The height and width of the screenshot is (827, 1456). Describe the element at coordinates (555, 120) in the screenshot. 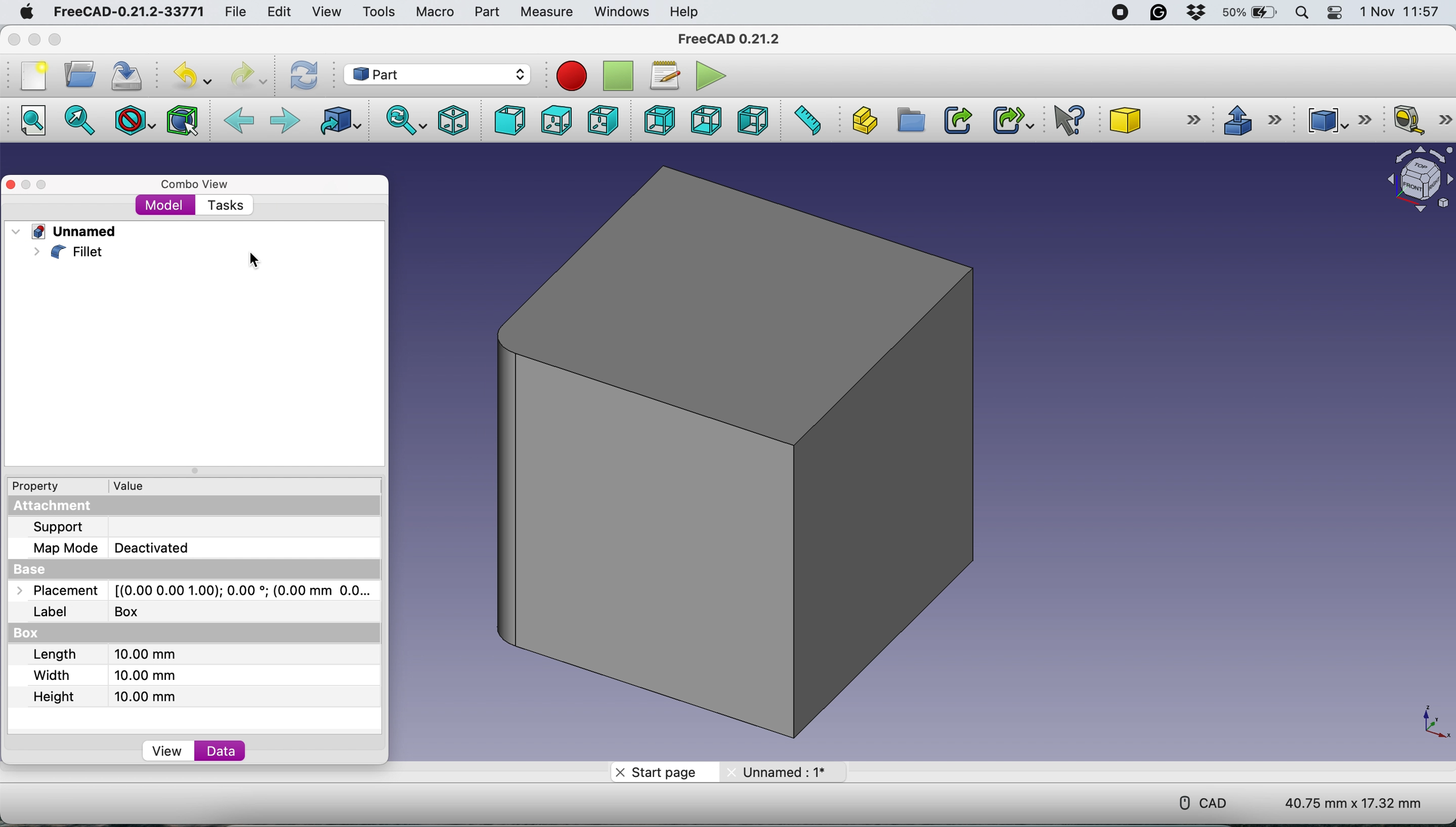

I see `top` at that location.